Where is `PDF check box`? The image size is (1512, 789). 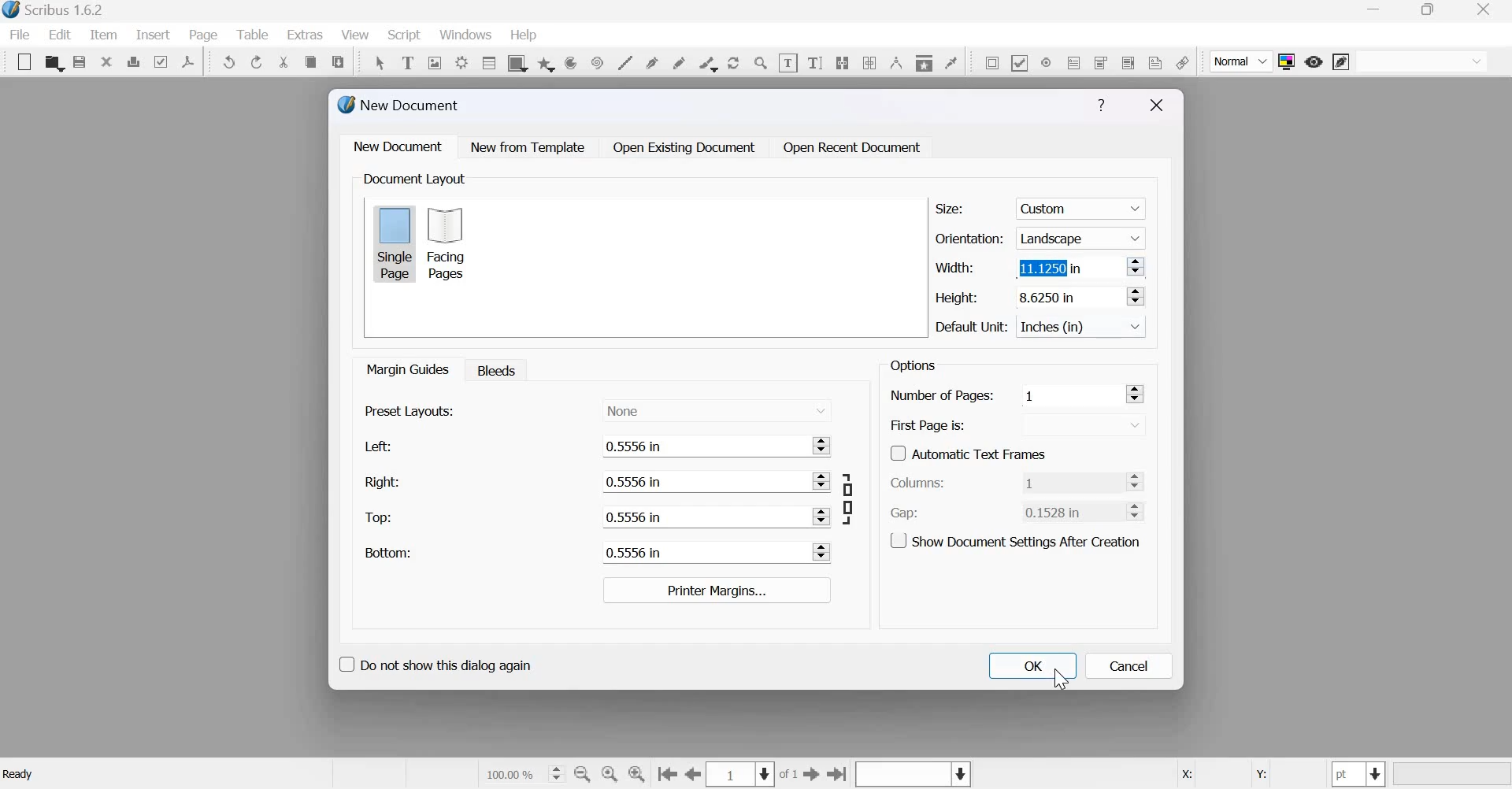 PDF check box is located at coordinates (1019, 61).